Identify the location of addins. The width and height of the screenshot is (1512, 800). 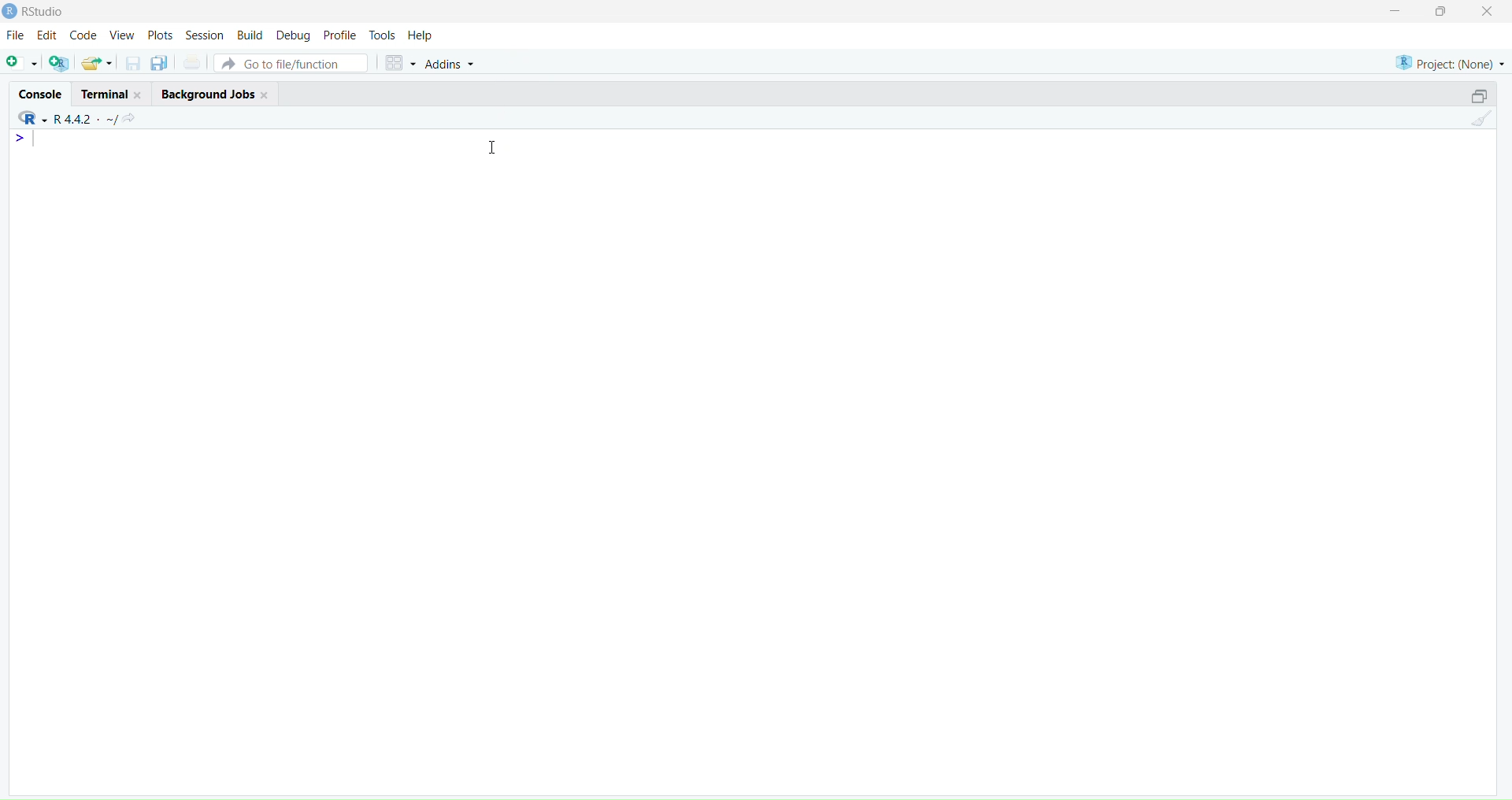
(450, 65).